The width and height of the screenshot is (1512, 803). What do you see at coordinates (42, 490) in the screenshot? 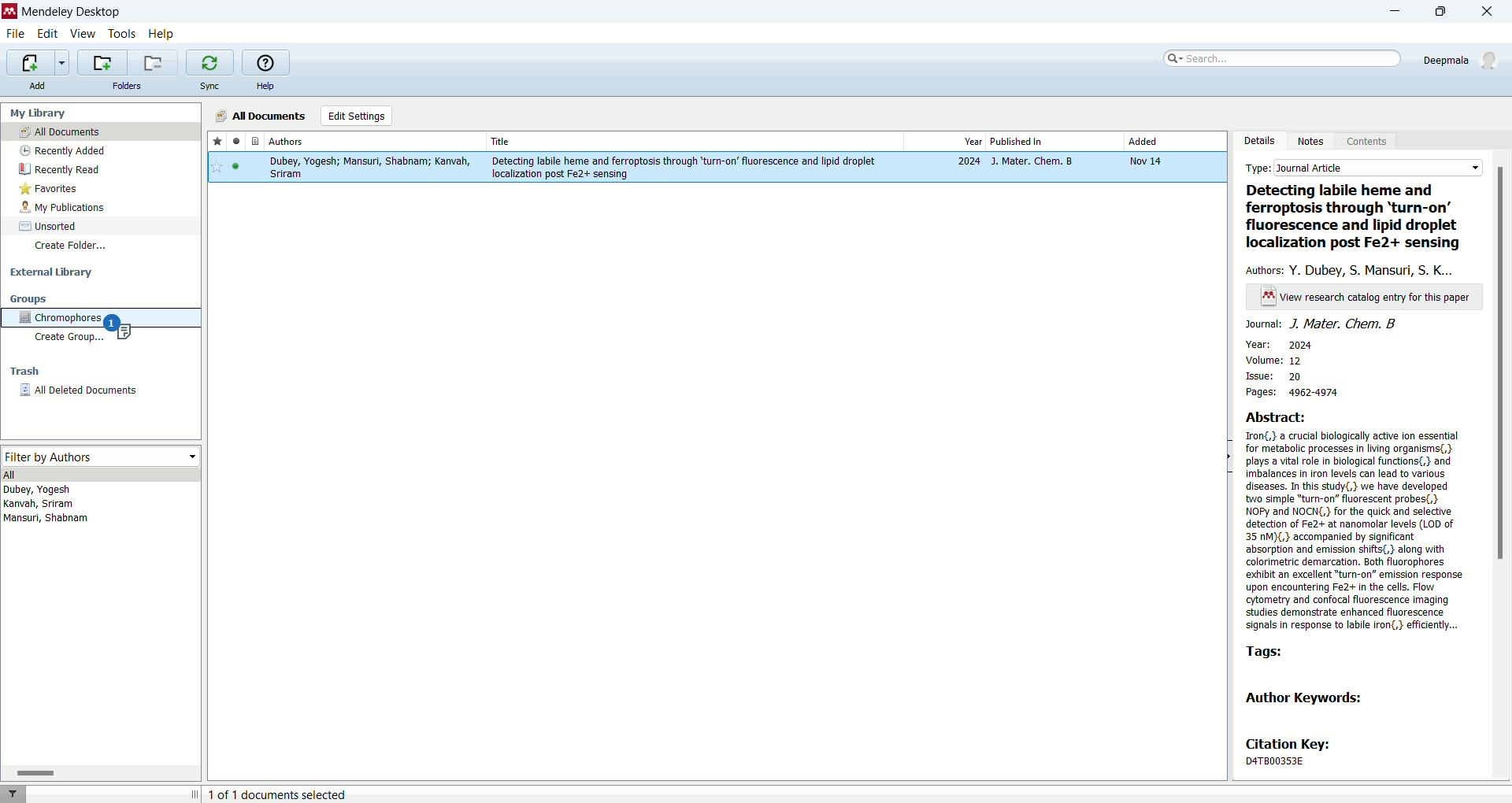
I see `Dubey, Yogesh` at bounding box center [42, 490].